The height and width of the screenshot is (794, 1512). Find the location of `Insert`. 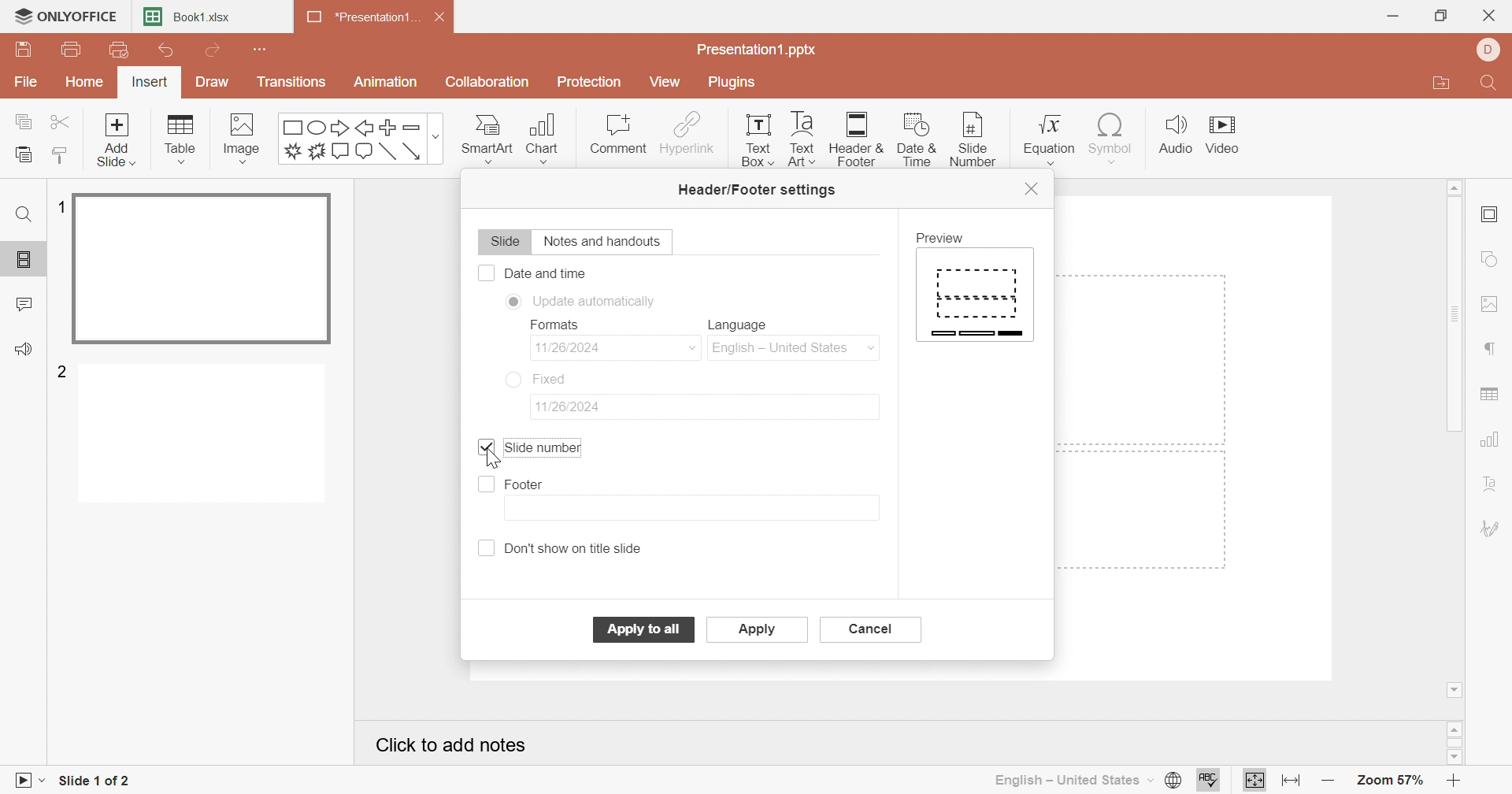

Insert is located at coordinates (150, 84).